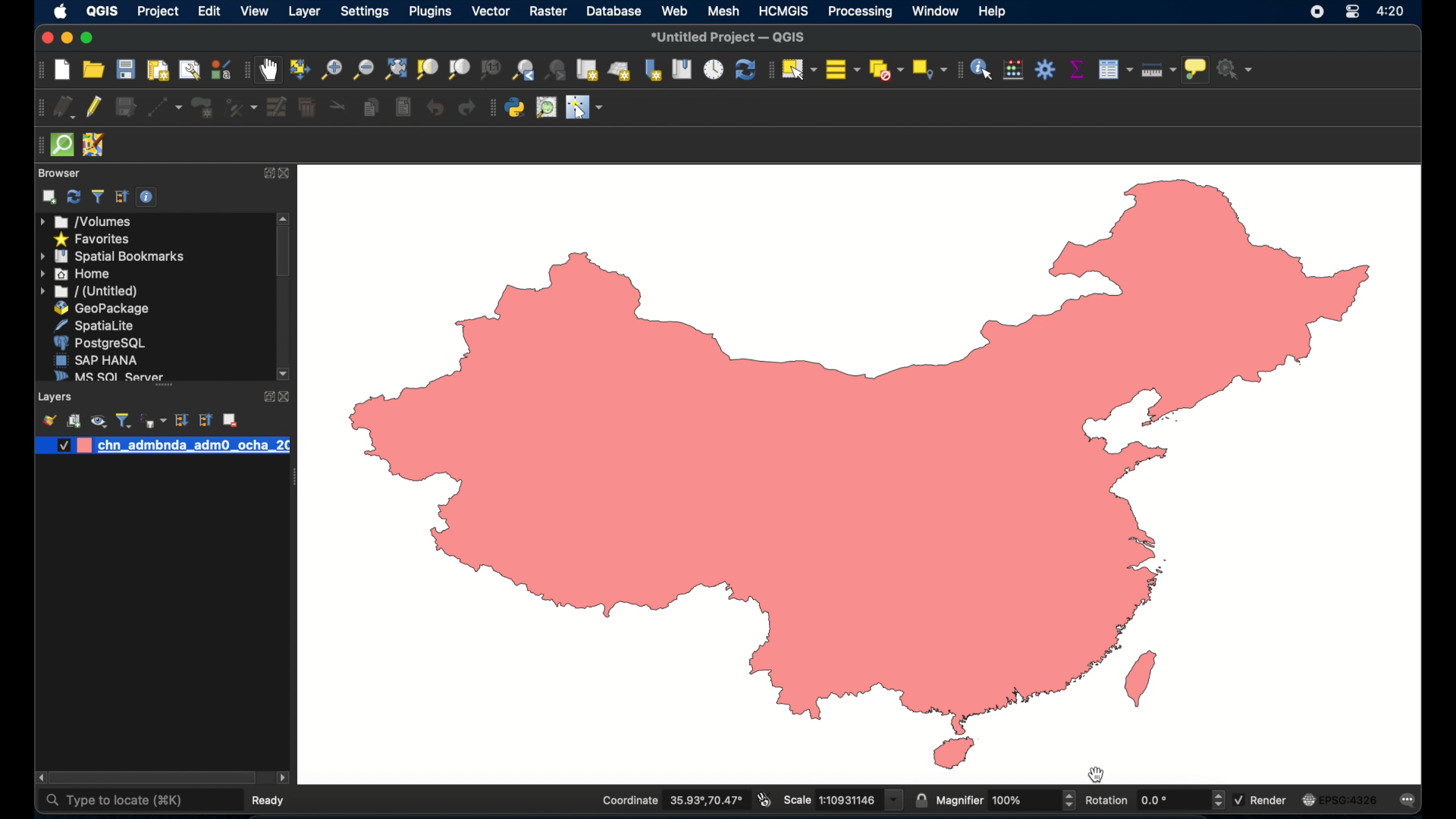  I want to click on magnifier, so click(996, 801).